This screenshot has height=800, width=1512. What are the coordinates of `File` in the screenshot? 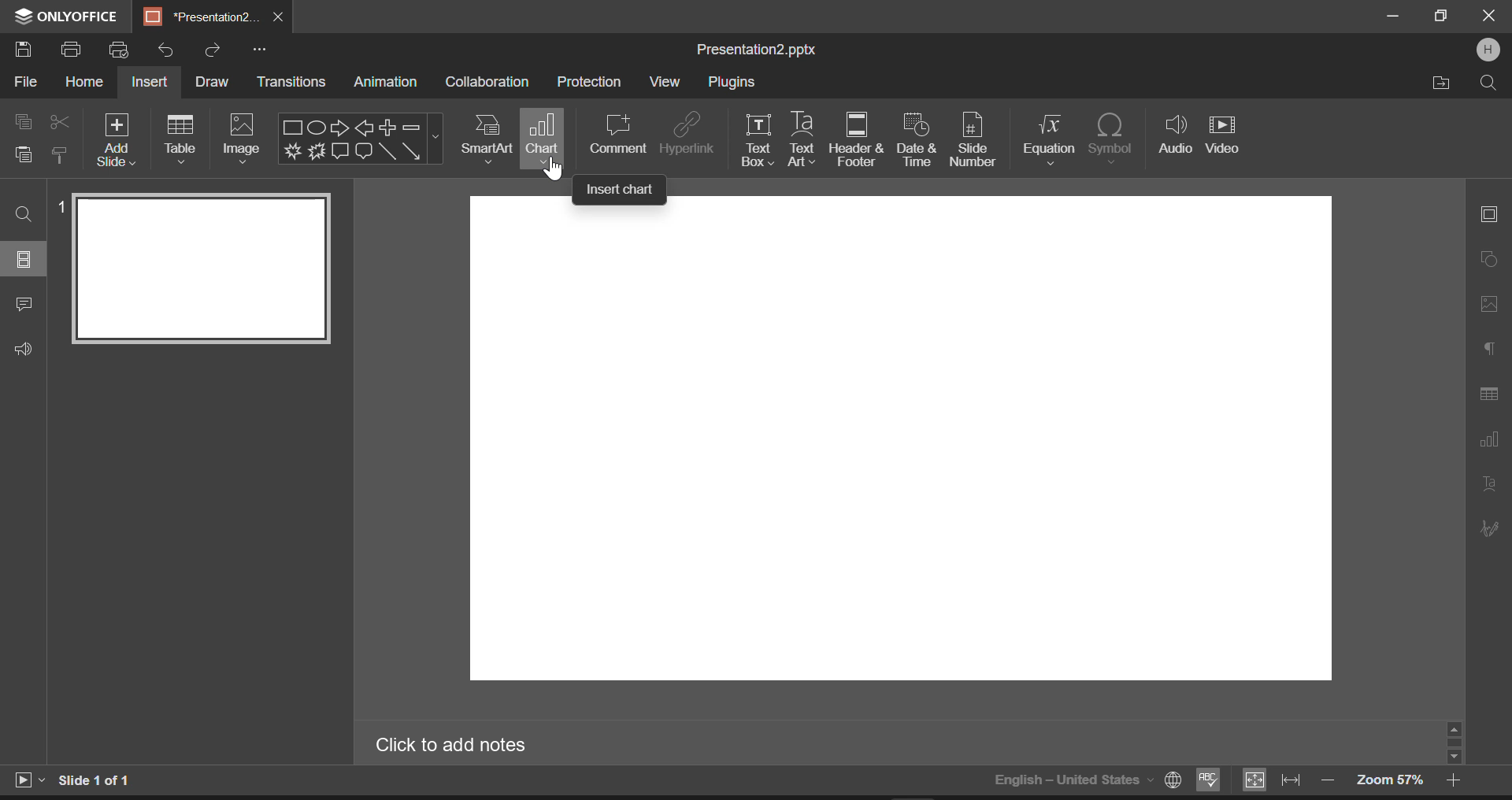 It's located at (24, 85).